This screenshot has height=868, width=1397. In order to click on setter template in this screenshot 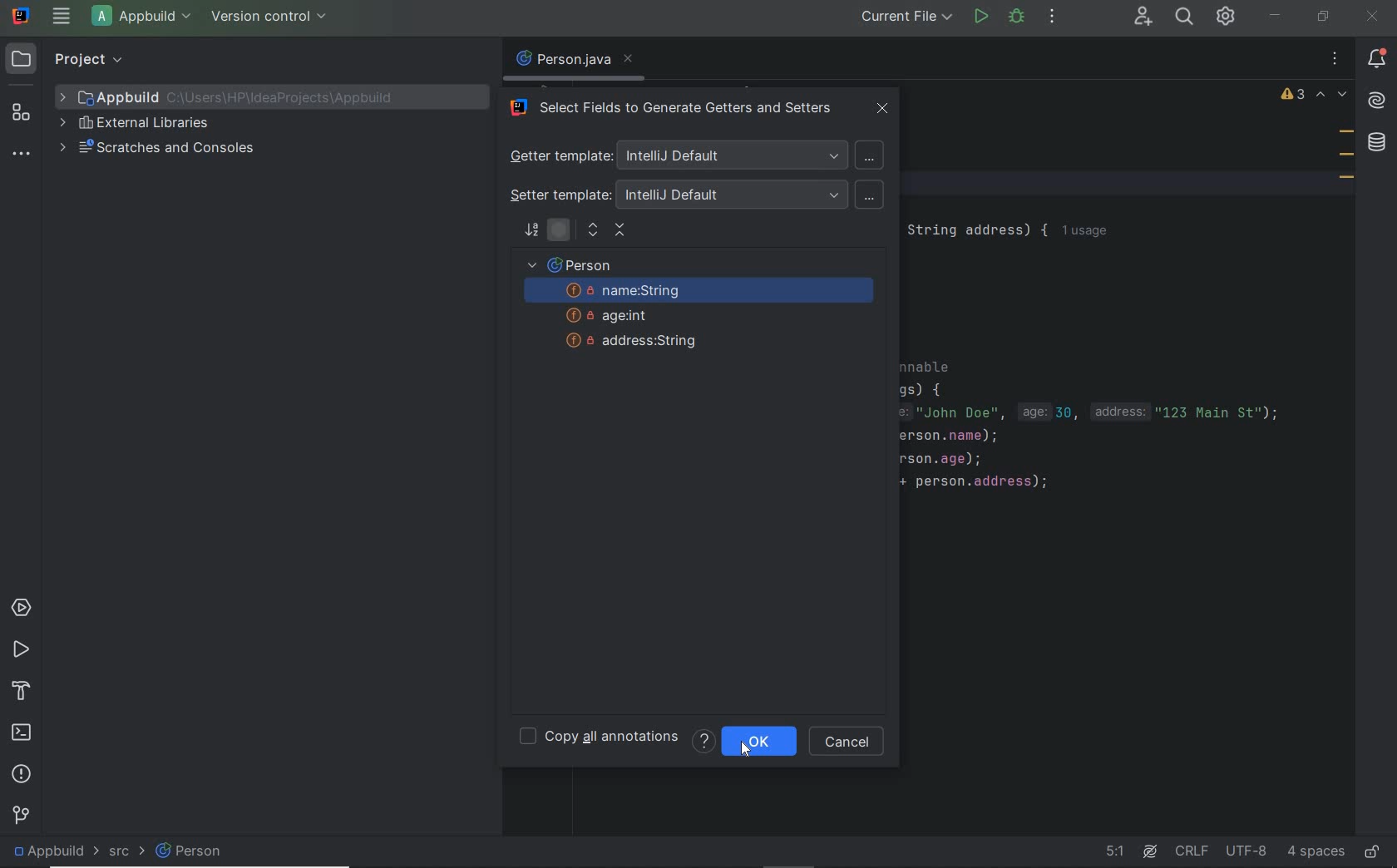, I will do `click(695, 194)`.